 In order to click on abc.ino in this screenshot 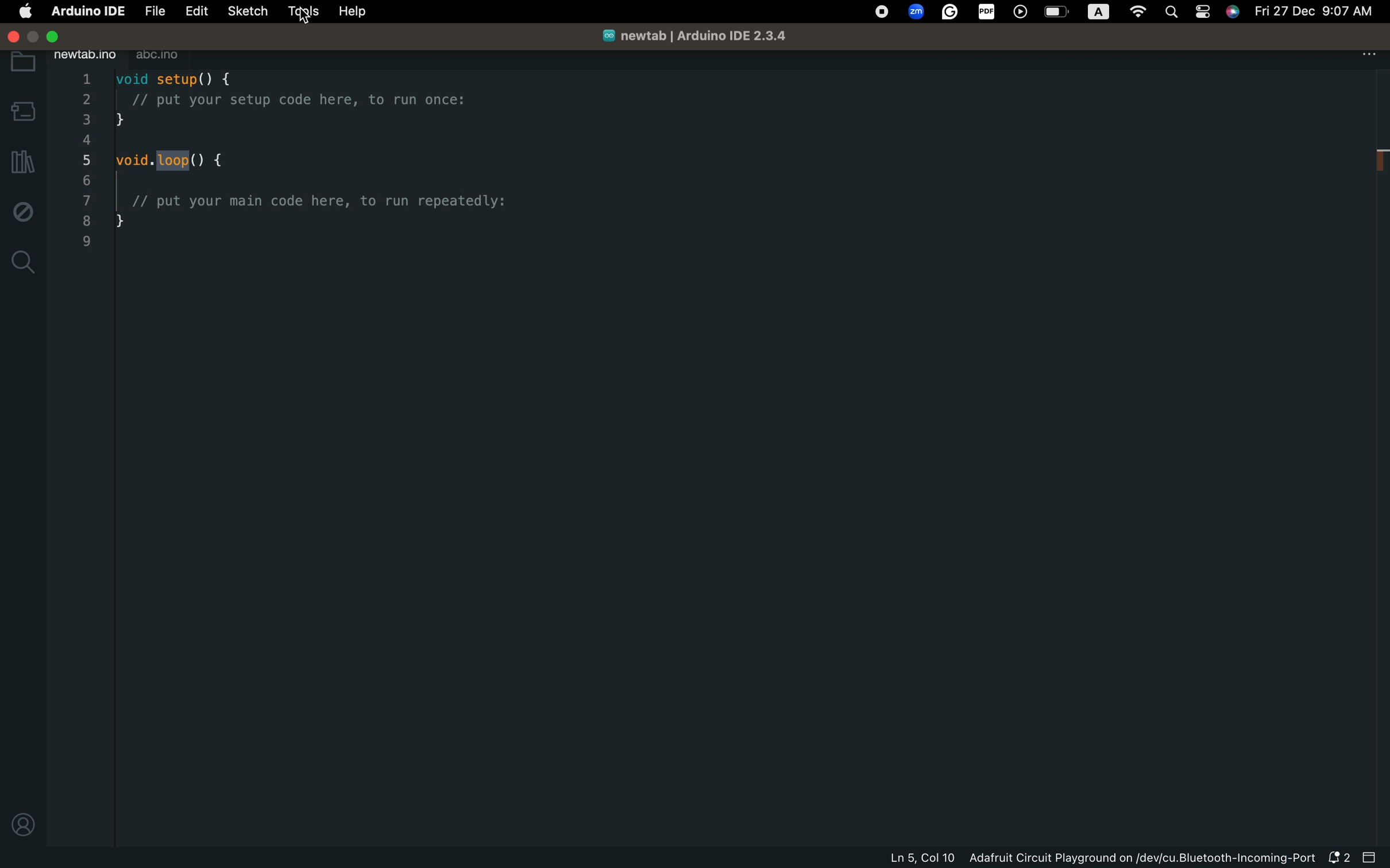, I will do `click(164, 57)`.